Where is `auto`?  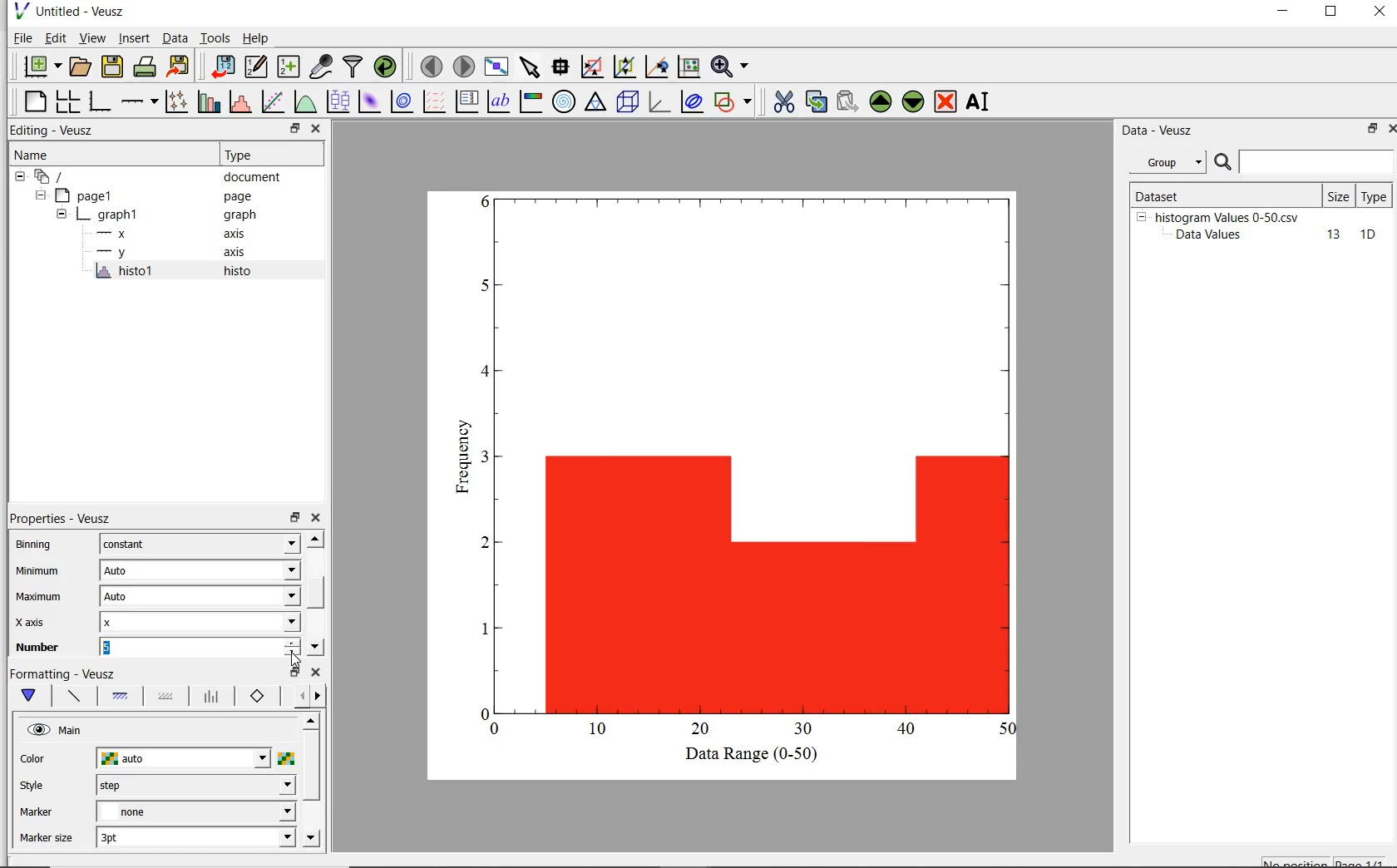
auto is located at coordinates (200, 570).